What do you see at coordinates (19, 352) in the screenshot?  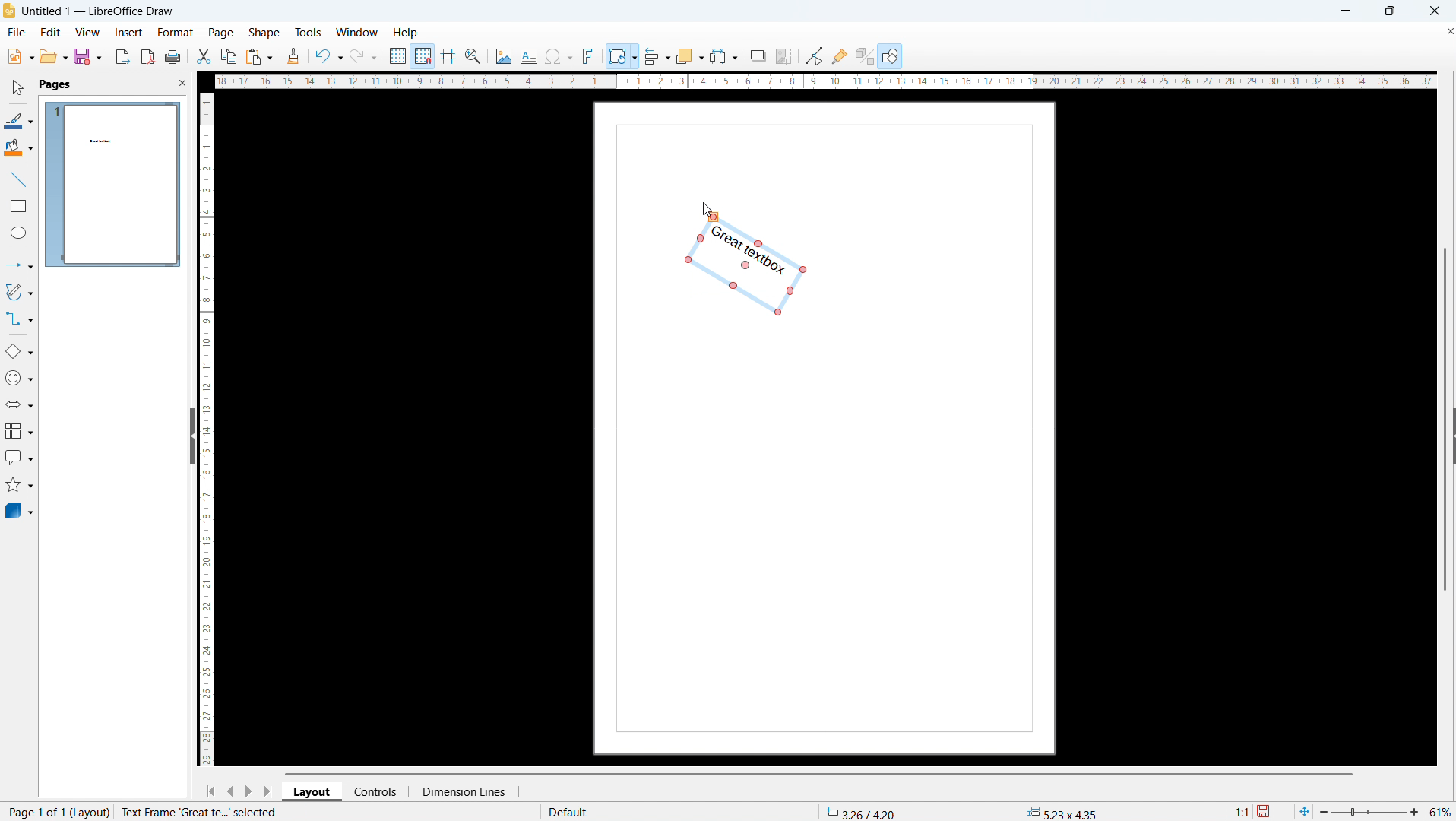 I see `basic shapes` at bounding box center [19, 352].